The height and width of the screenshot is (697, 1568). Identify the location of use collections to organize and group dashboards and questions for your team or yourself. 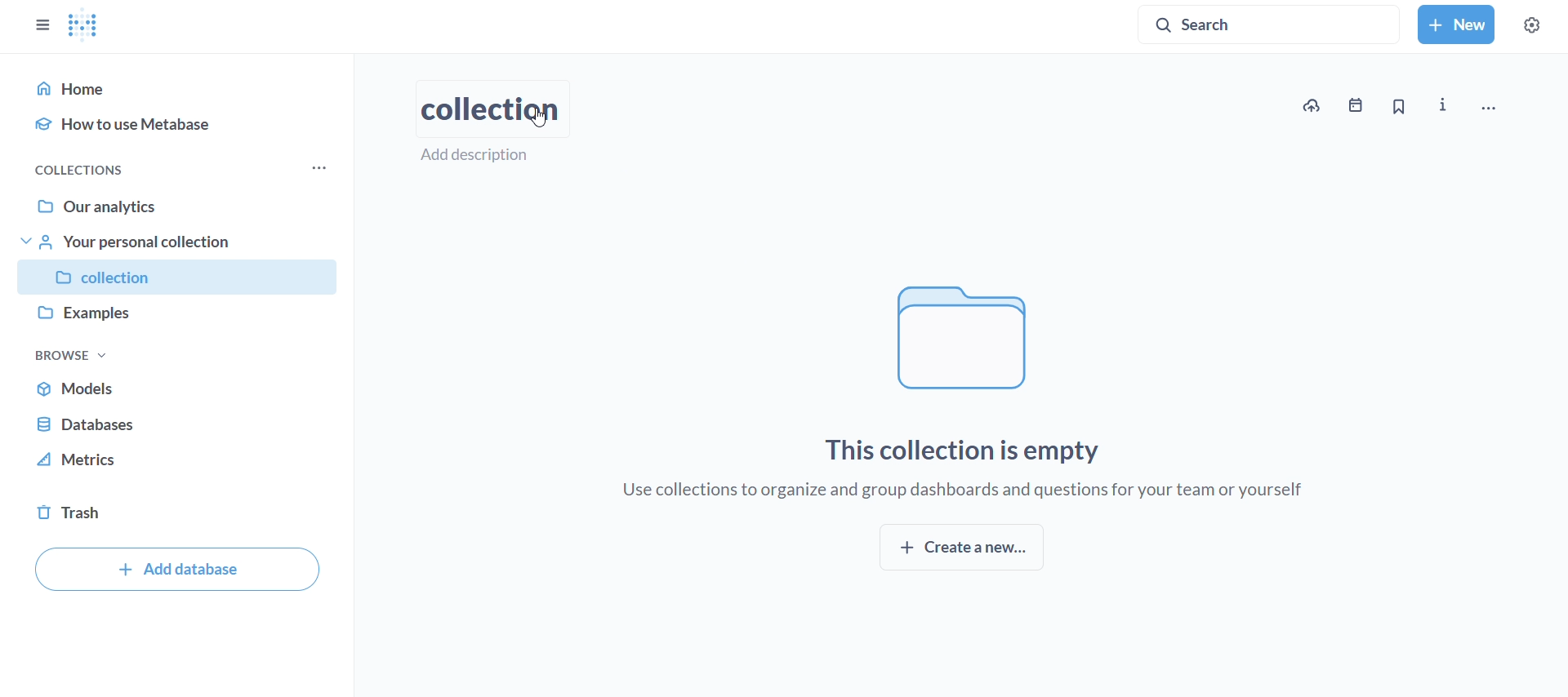
(966, 491).